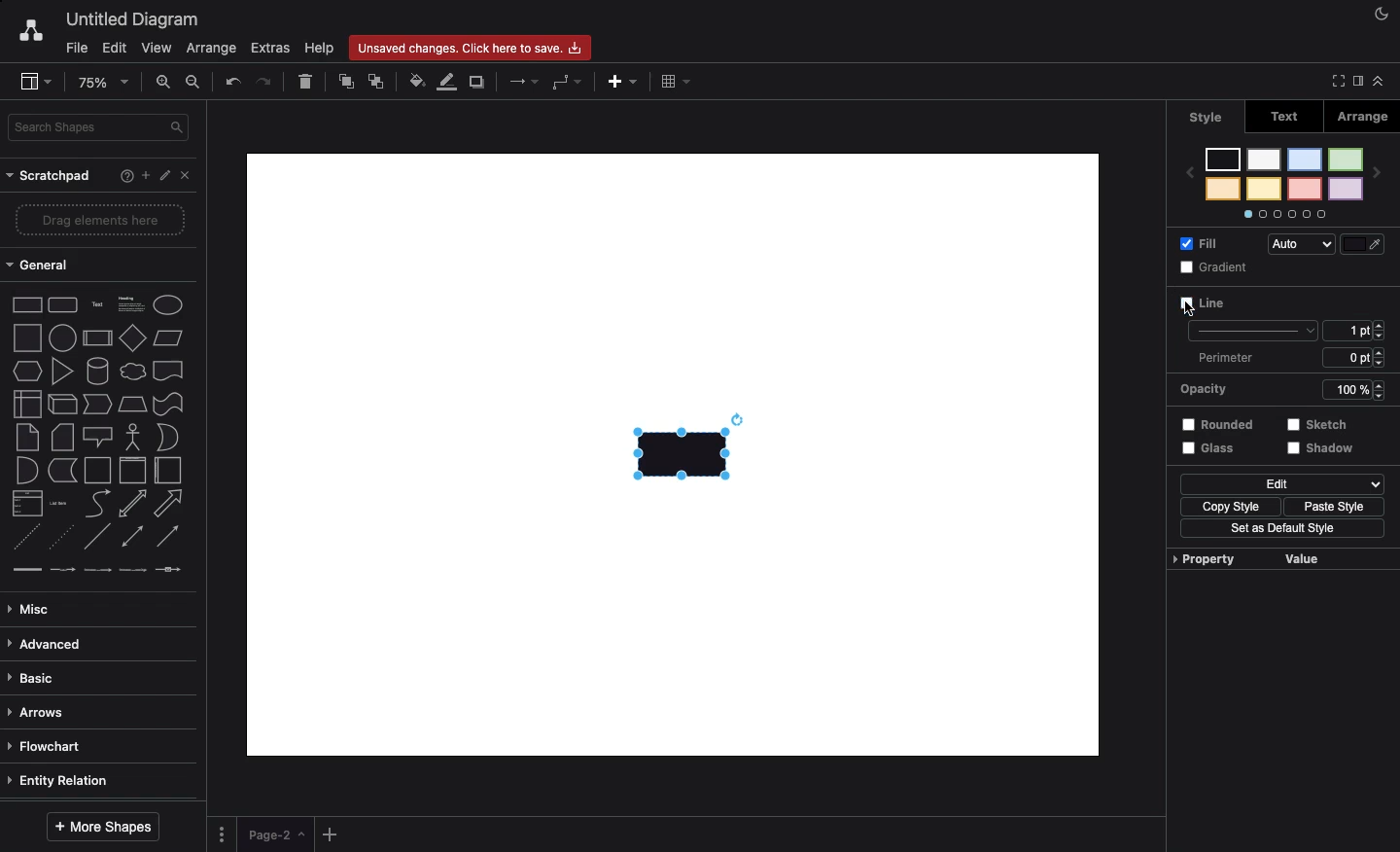 The image size is (1400, 852). Describe the element at coordinates (54, 644) in the screenshot. I see `Advanced` at that location.